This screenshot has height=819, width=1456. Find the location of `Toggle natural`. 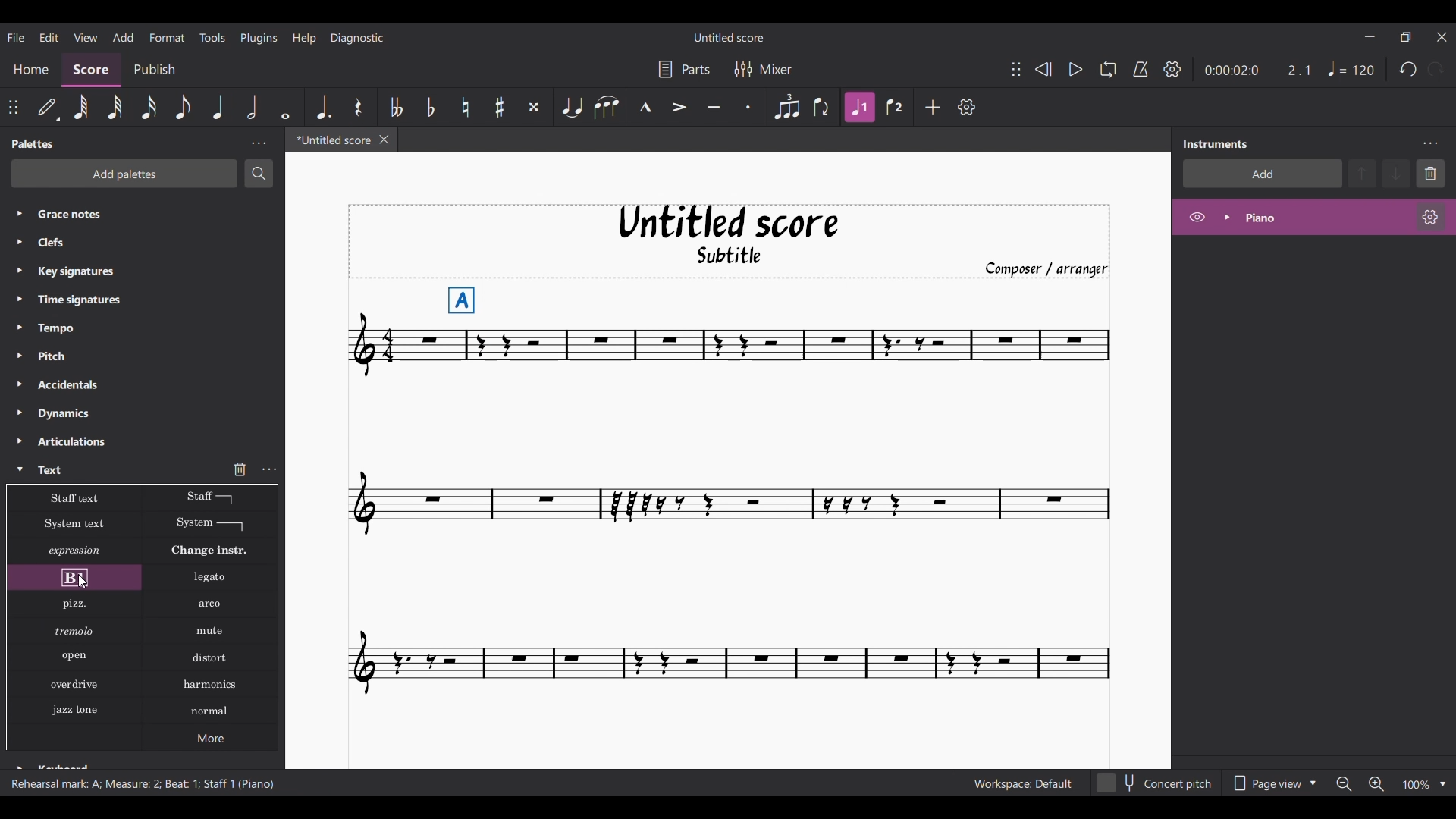

Toggle natural is located at coordinates (466, 107).